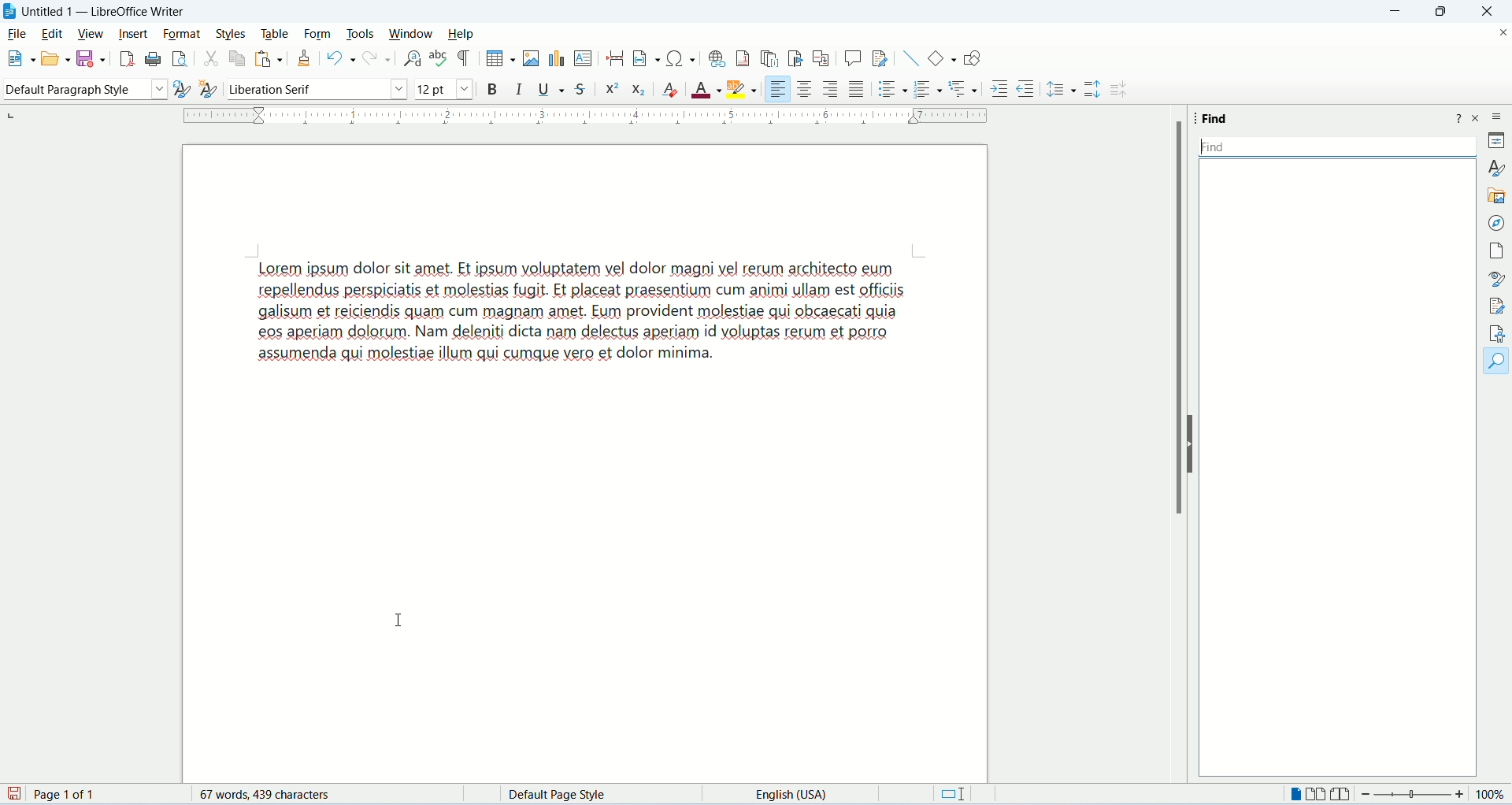 Image resolution: width=1512 pixels, height=805 pixels. I want to click on margin, so click(576, 117).